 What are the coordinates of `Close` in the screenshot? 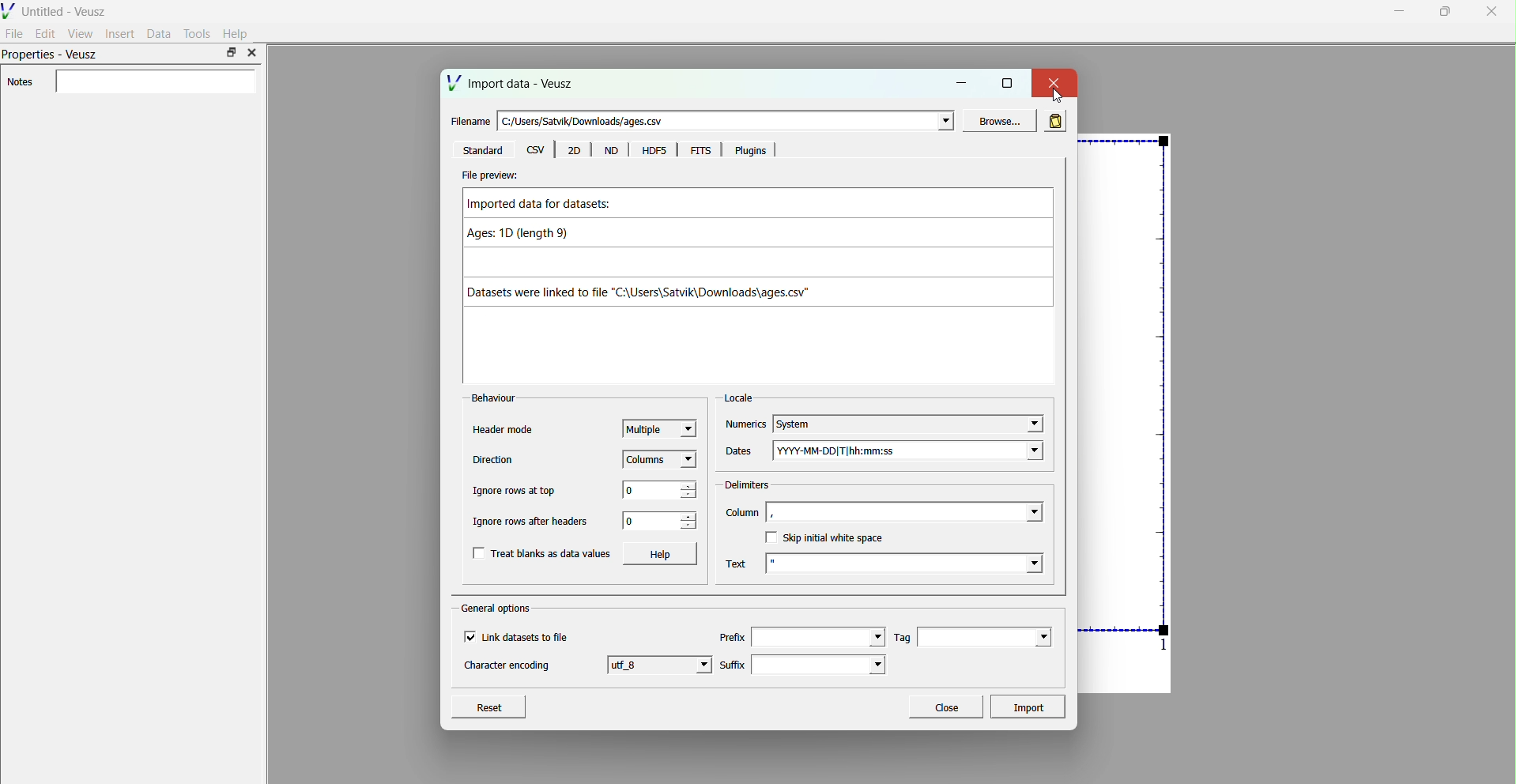 It's located at (945, 705).